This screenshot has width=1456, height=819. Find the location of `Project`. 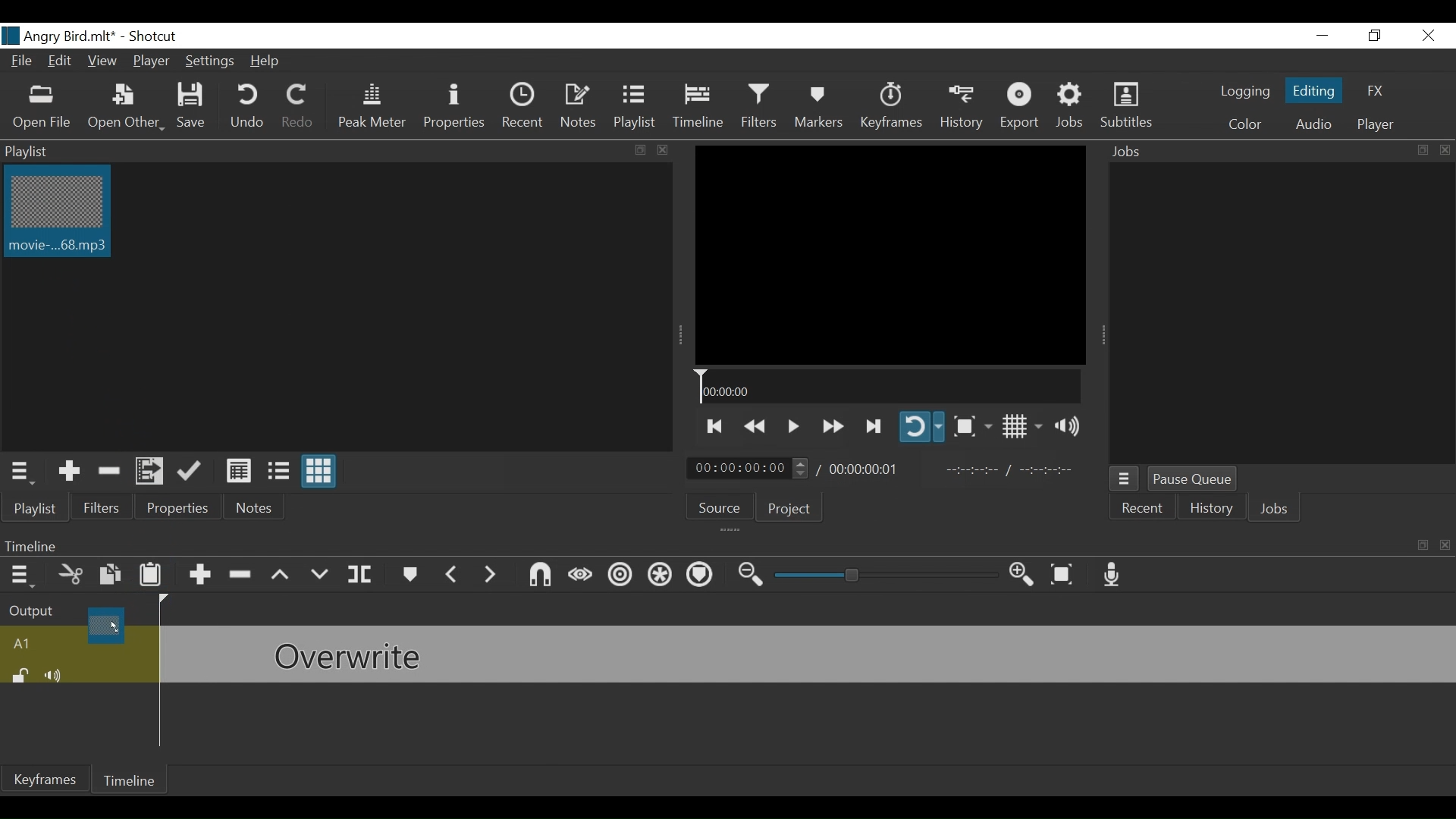

Project is located at coordinates (795, 507).